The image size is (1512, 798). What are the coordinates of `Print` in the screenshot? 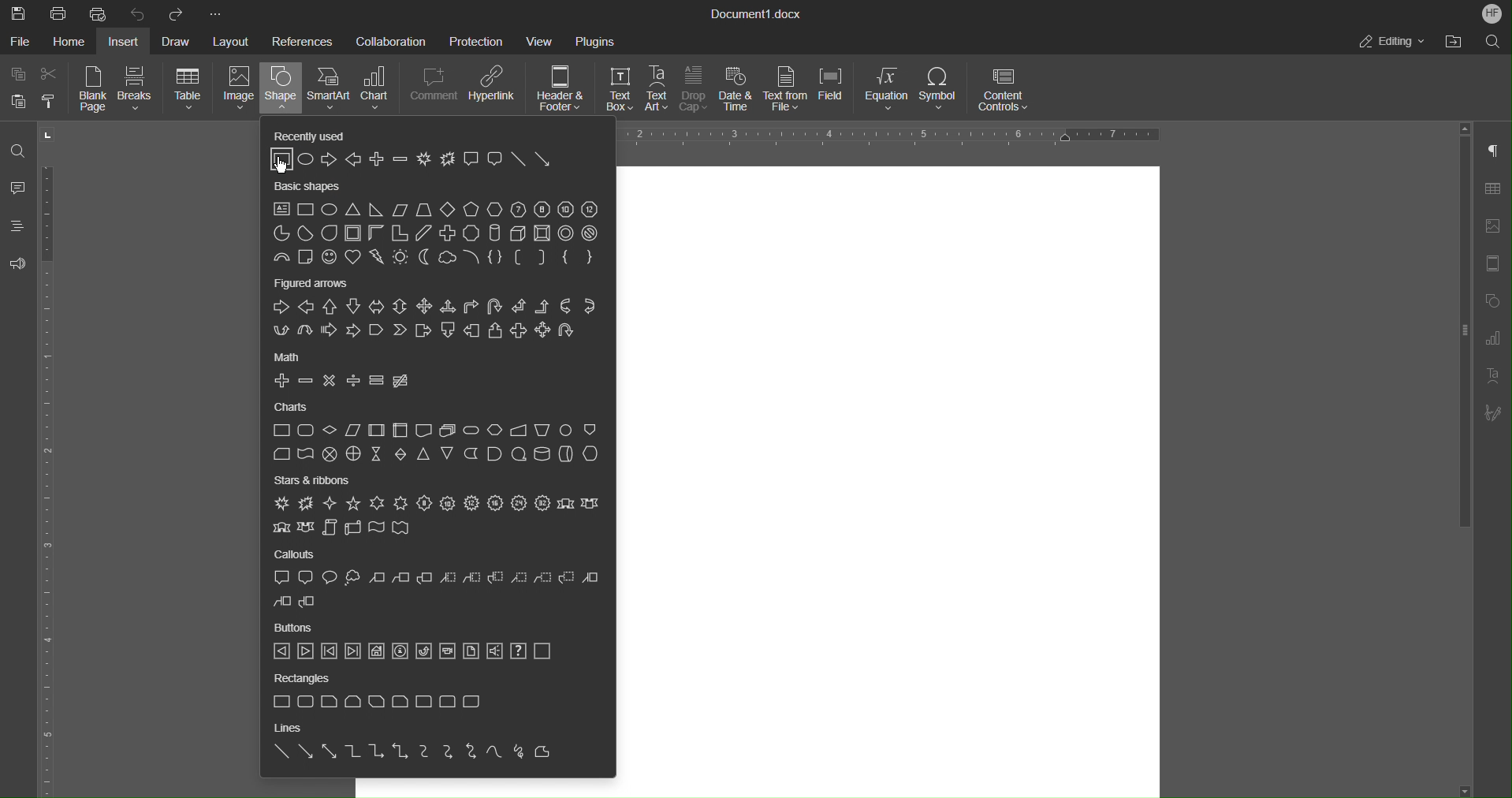 It's located at (59, 13).